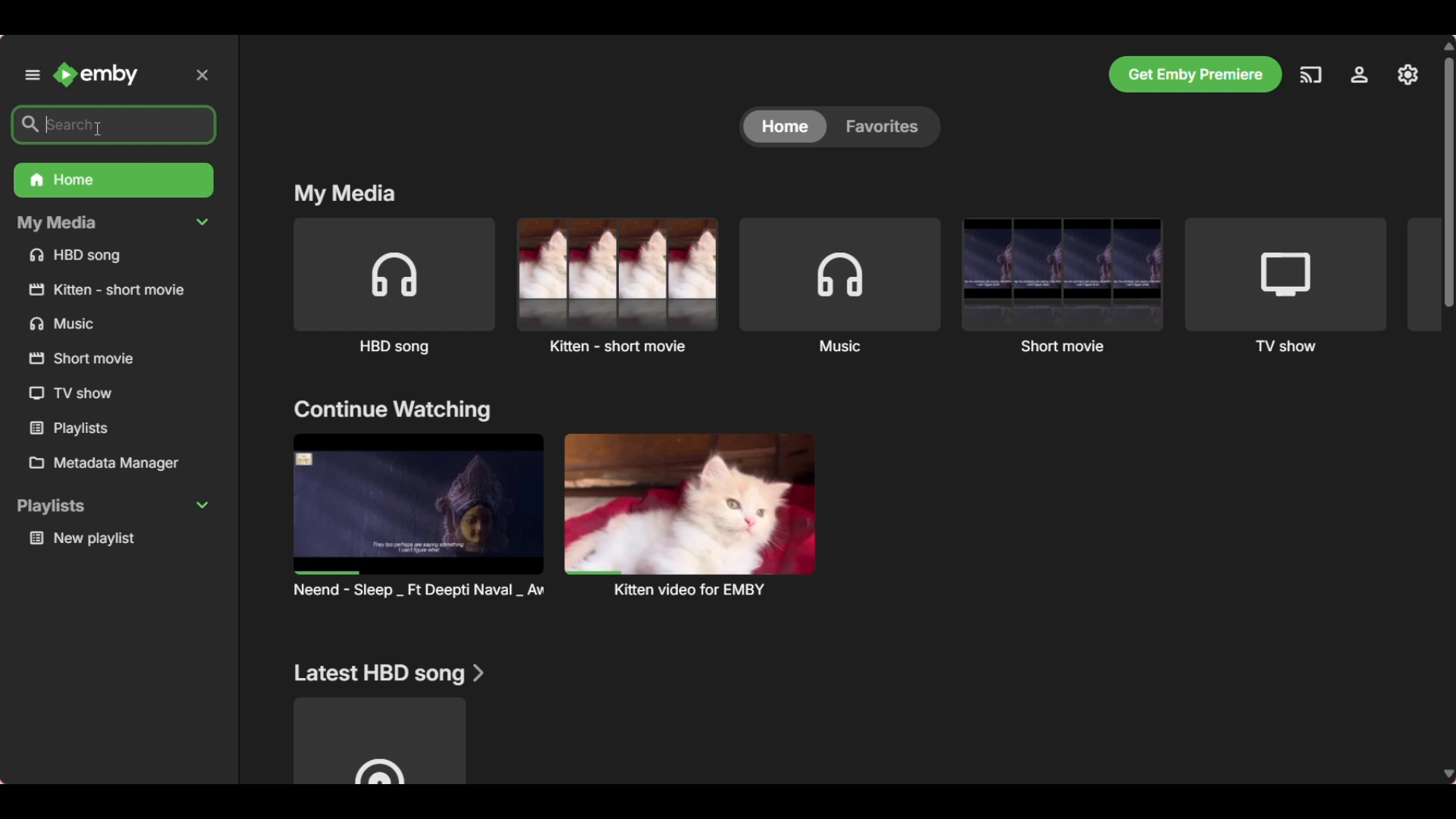 The width and height of the screenshot is (1456, 819). Describe the element at coordinates (115, 538) in the screenshot. I see `Playlist under Playlists section` at that location.